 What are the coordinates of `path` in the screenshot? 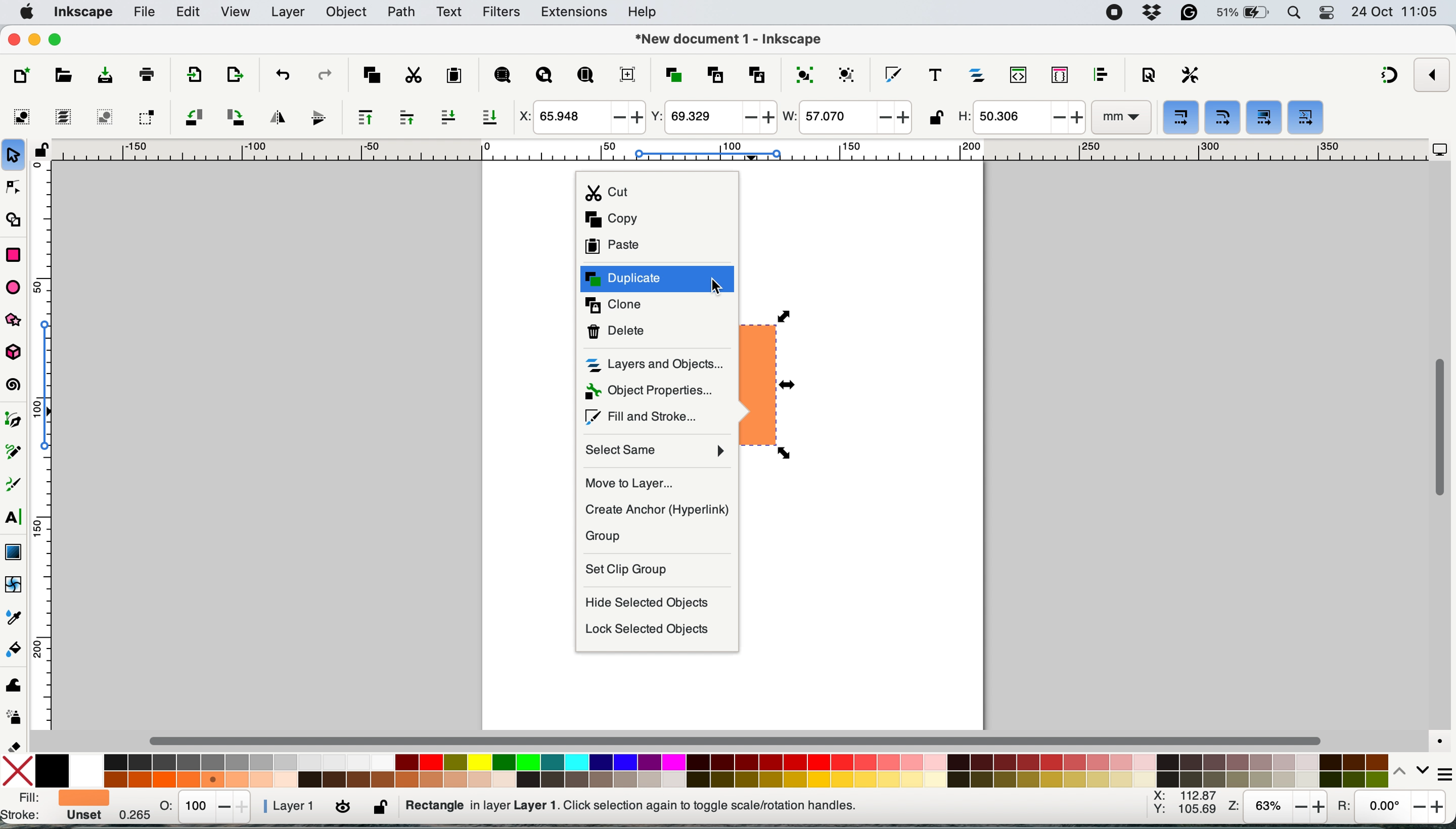 It's located at (401, 12).